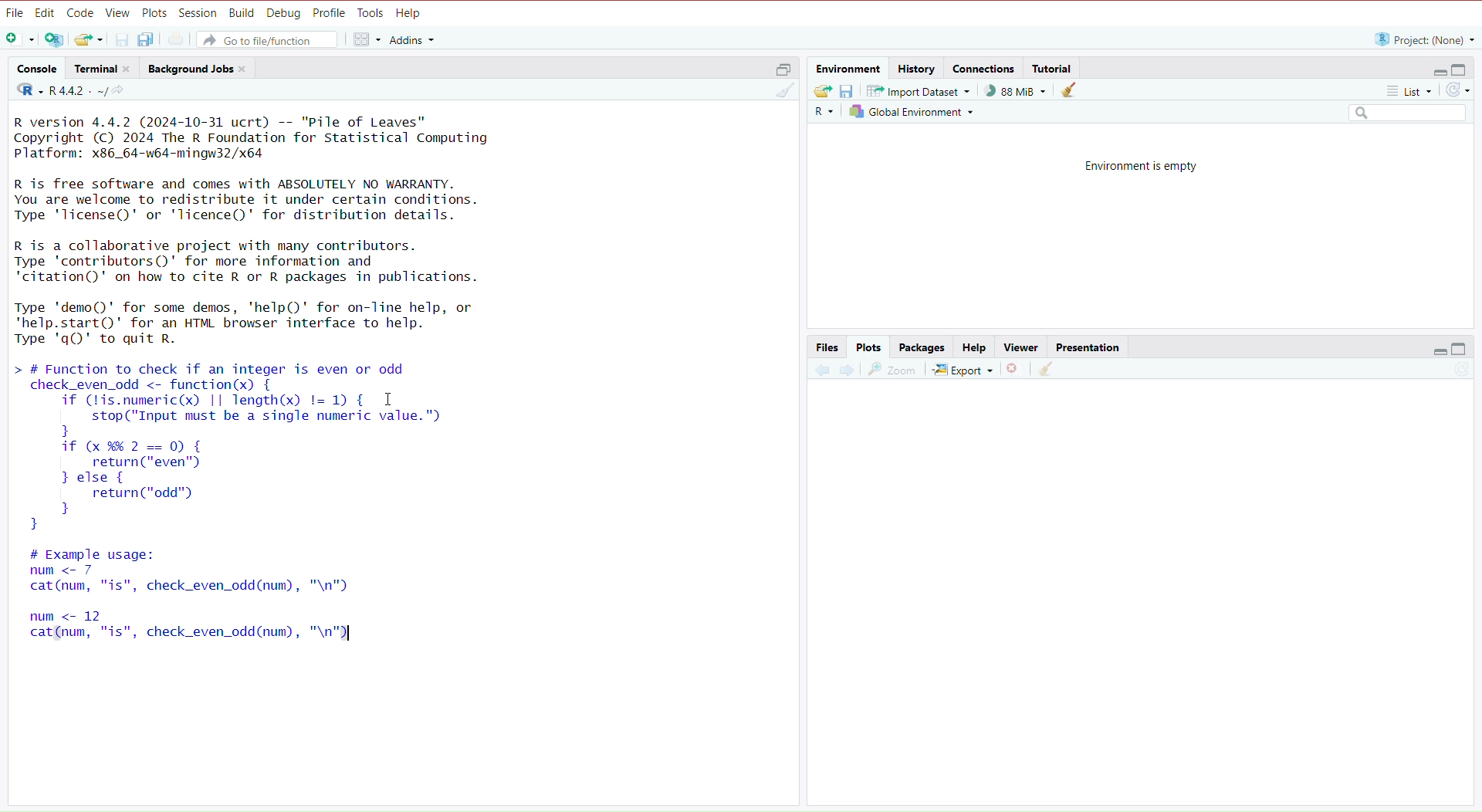 This screenshot has height=812, width=1482. I want to click on refresh list, so click(1458, 90).